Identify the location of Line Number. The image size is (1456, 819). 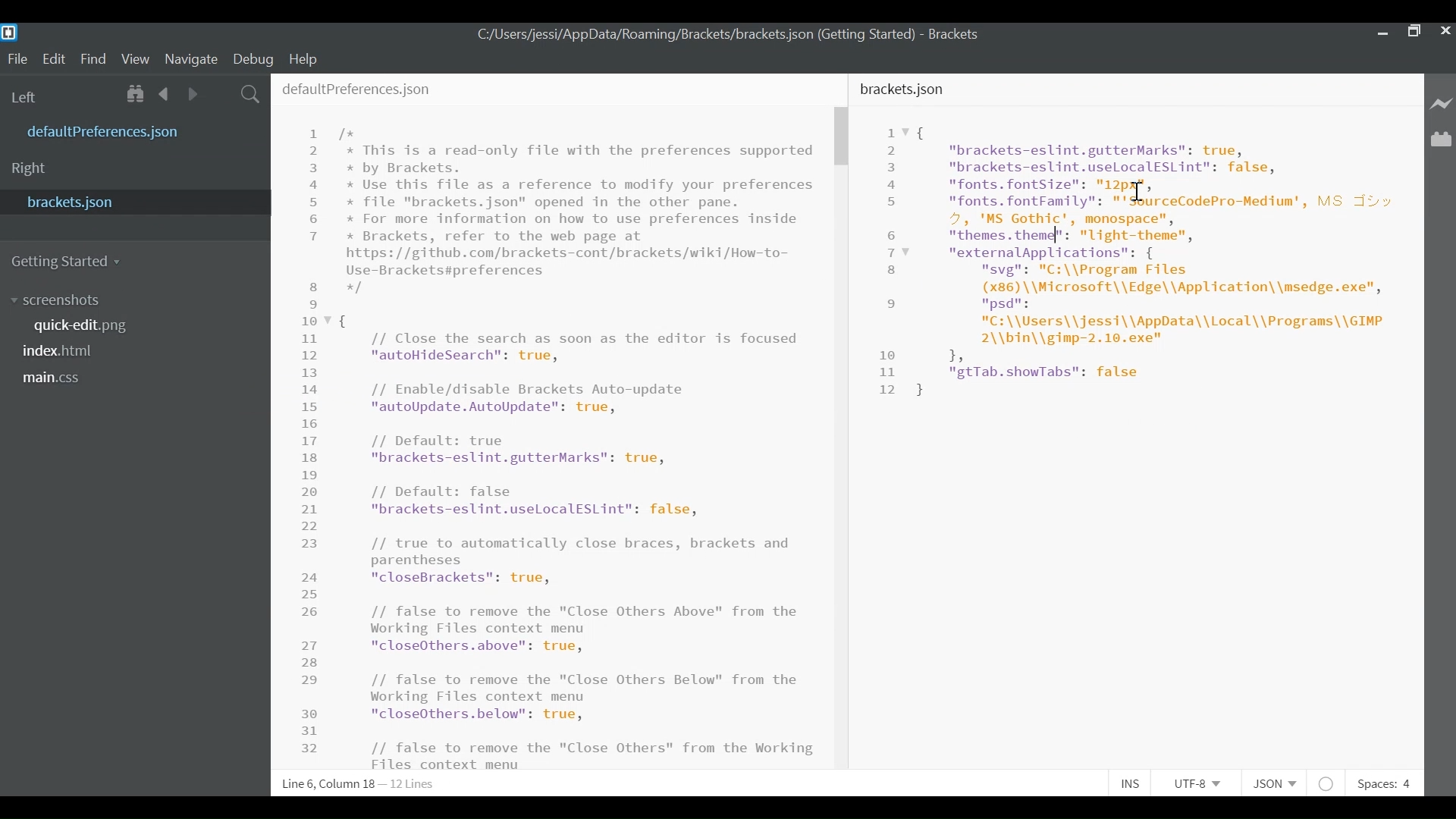
(312, 442).